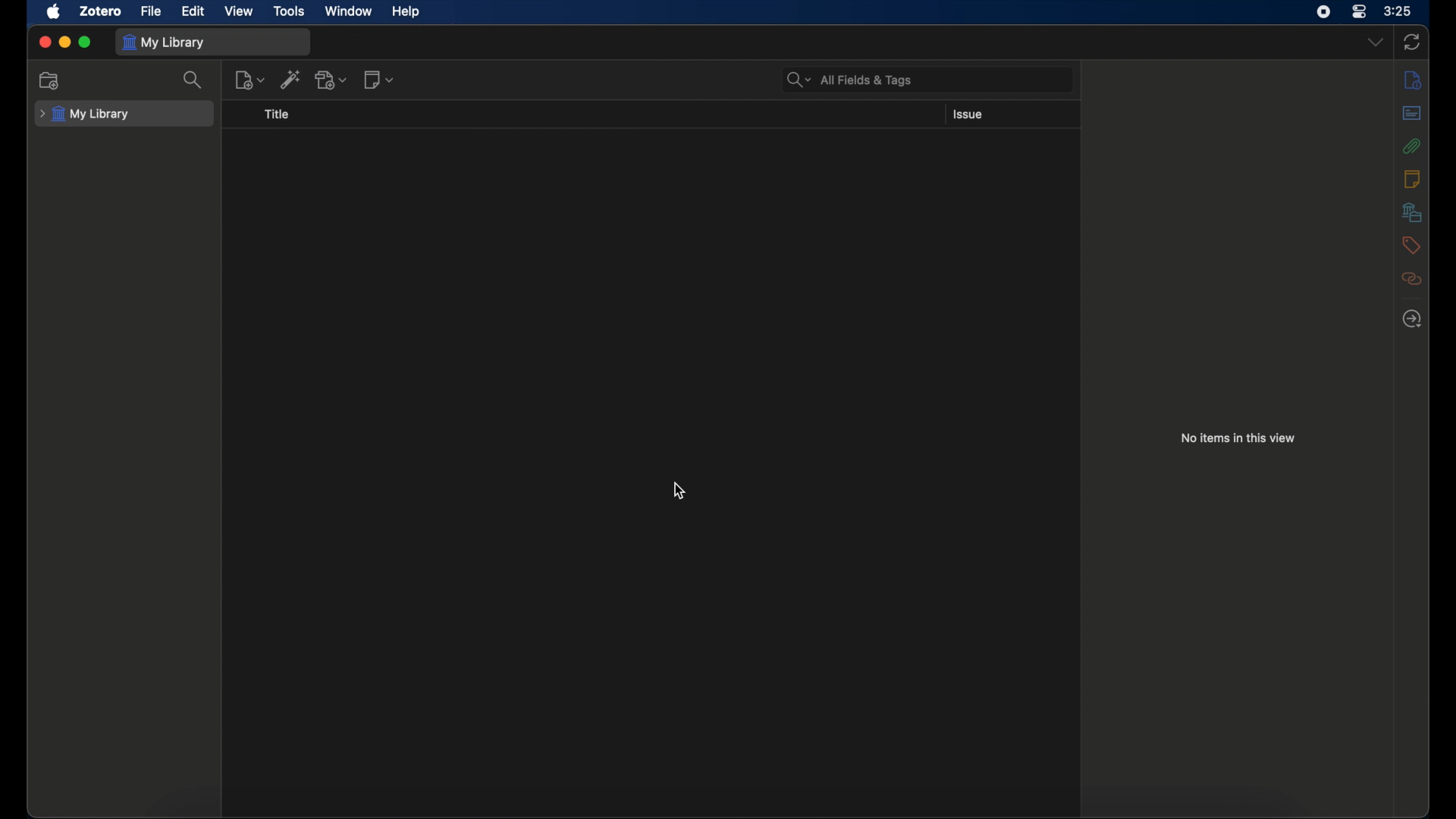 The width and height of the screenshot is (1456, 819). Describe the element at coordinates (278, 115) in the screenshot. I see `title` at that location.